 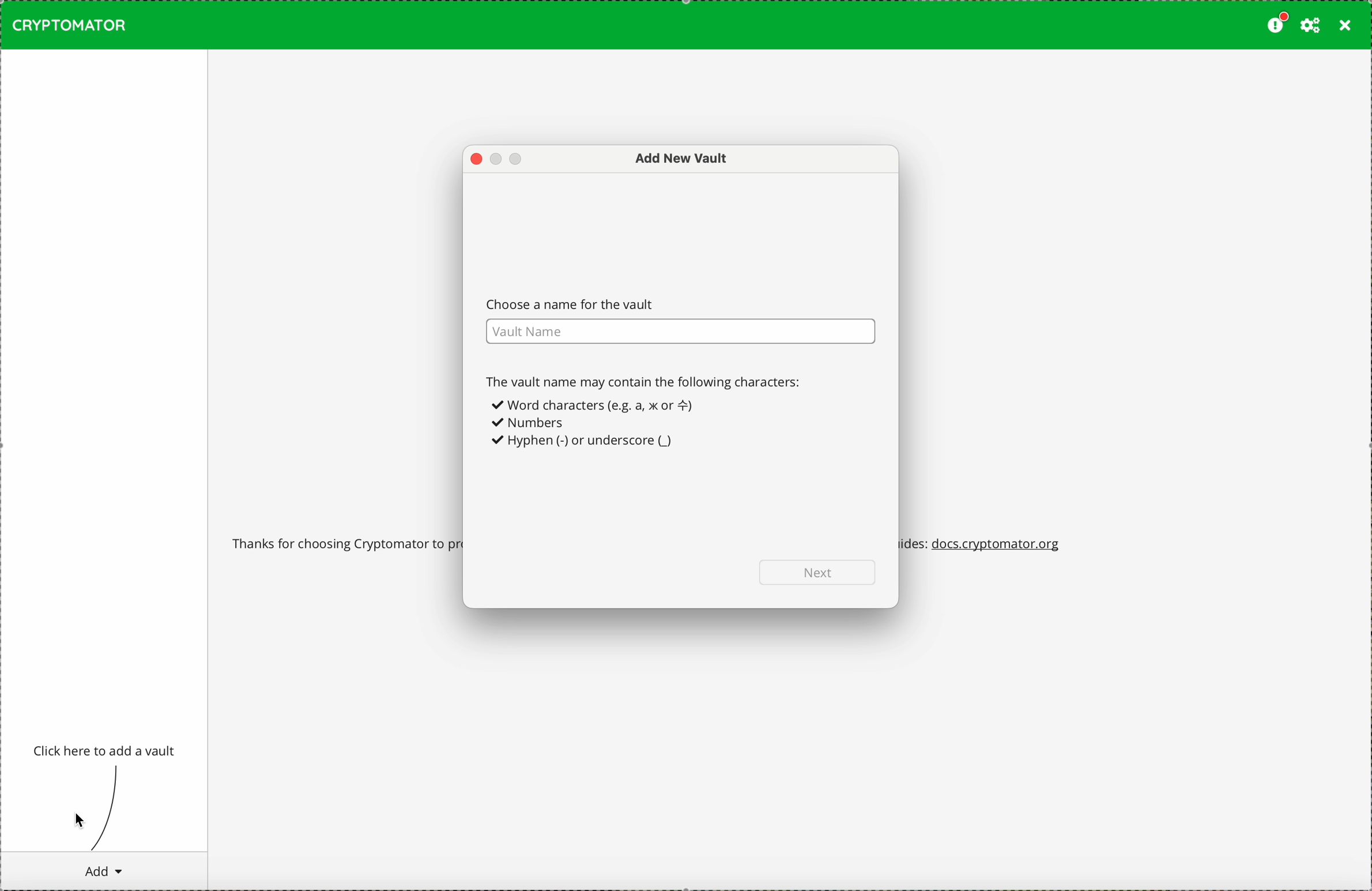 I want to click on Numbers, so click(x=529, y=424).